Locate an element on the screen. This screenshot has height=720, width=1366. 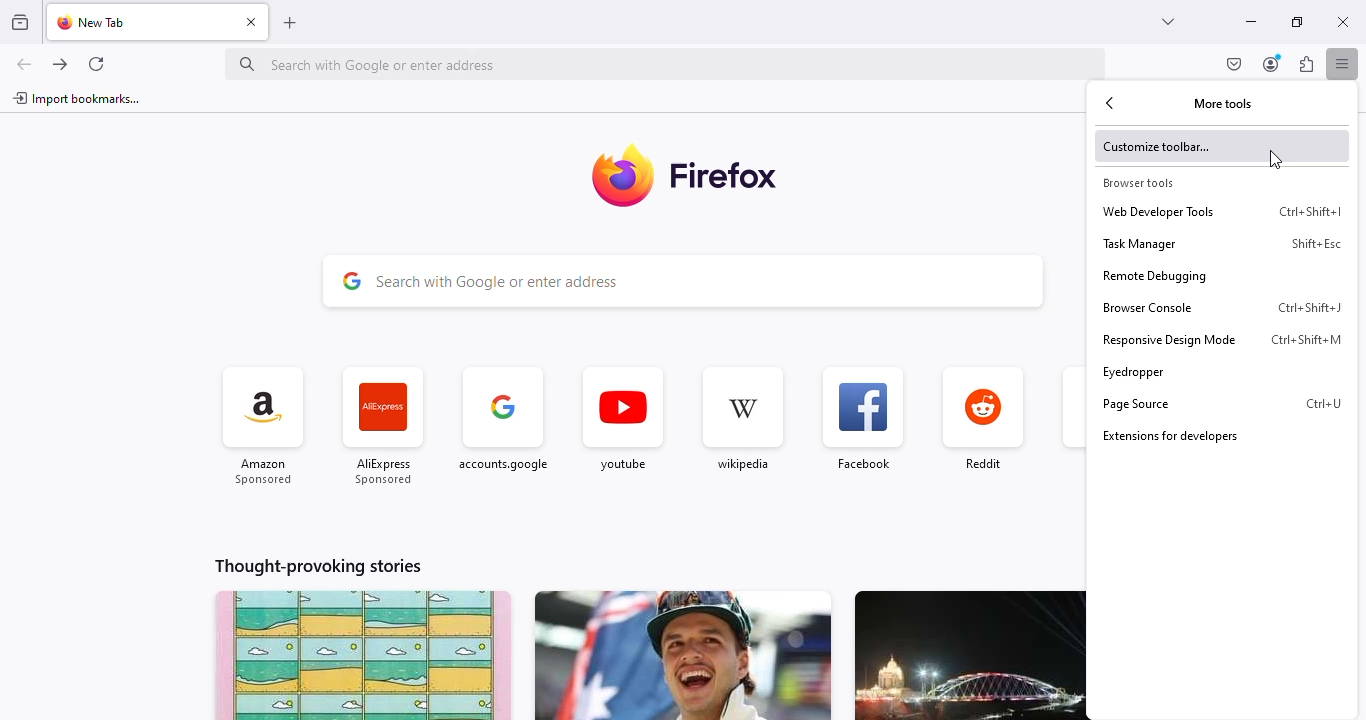
responsive design mode is located at coordinates (1180, 340).